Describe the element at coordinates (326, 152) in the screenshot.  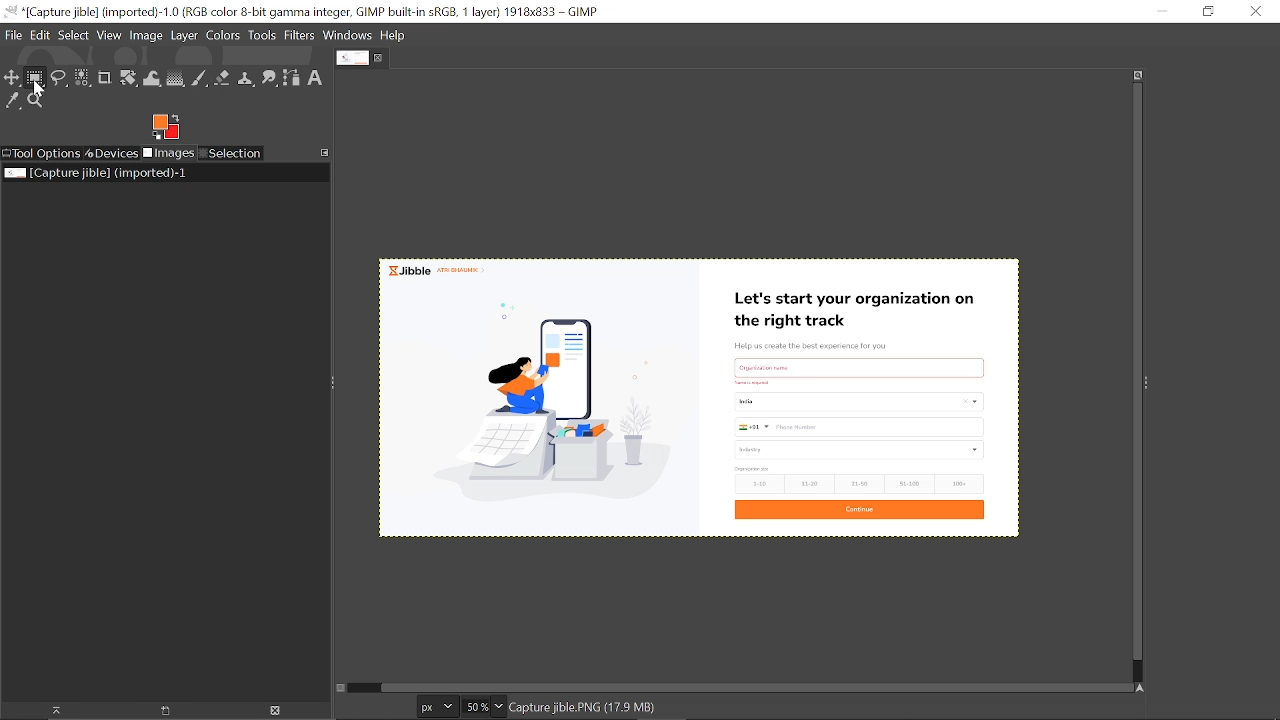
I see `Configure this tab` at that location.